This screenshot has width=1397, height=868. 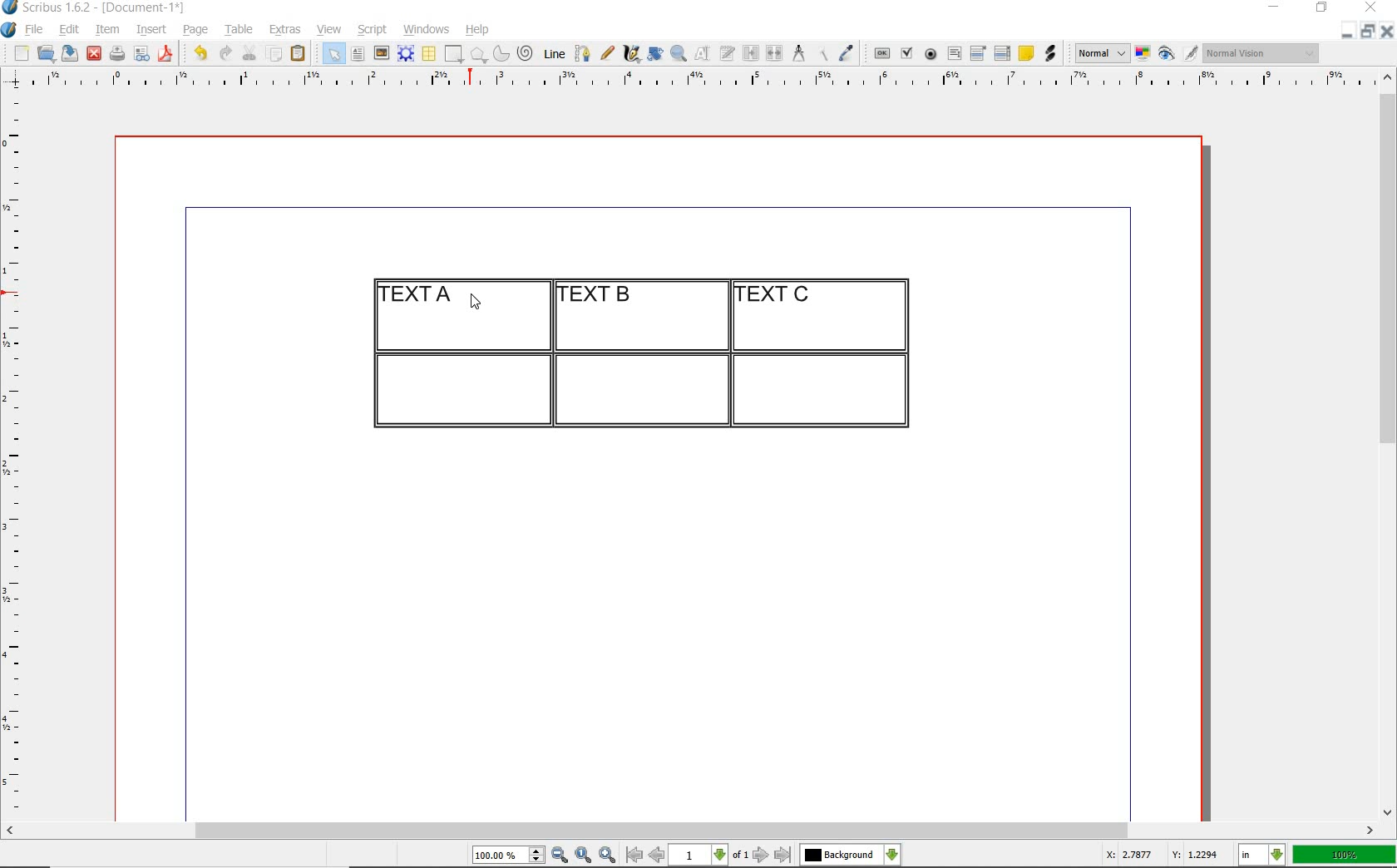 What do you see at coordinates (822, 53) in the screenshot?
I see `copy item properties` at bounding box center [822, 53].